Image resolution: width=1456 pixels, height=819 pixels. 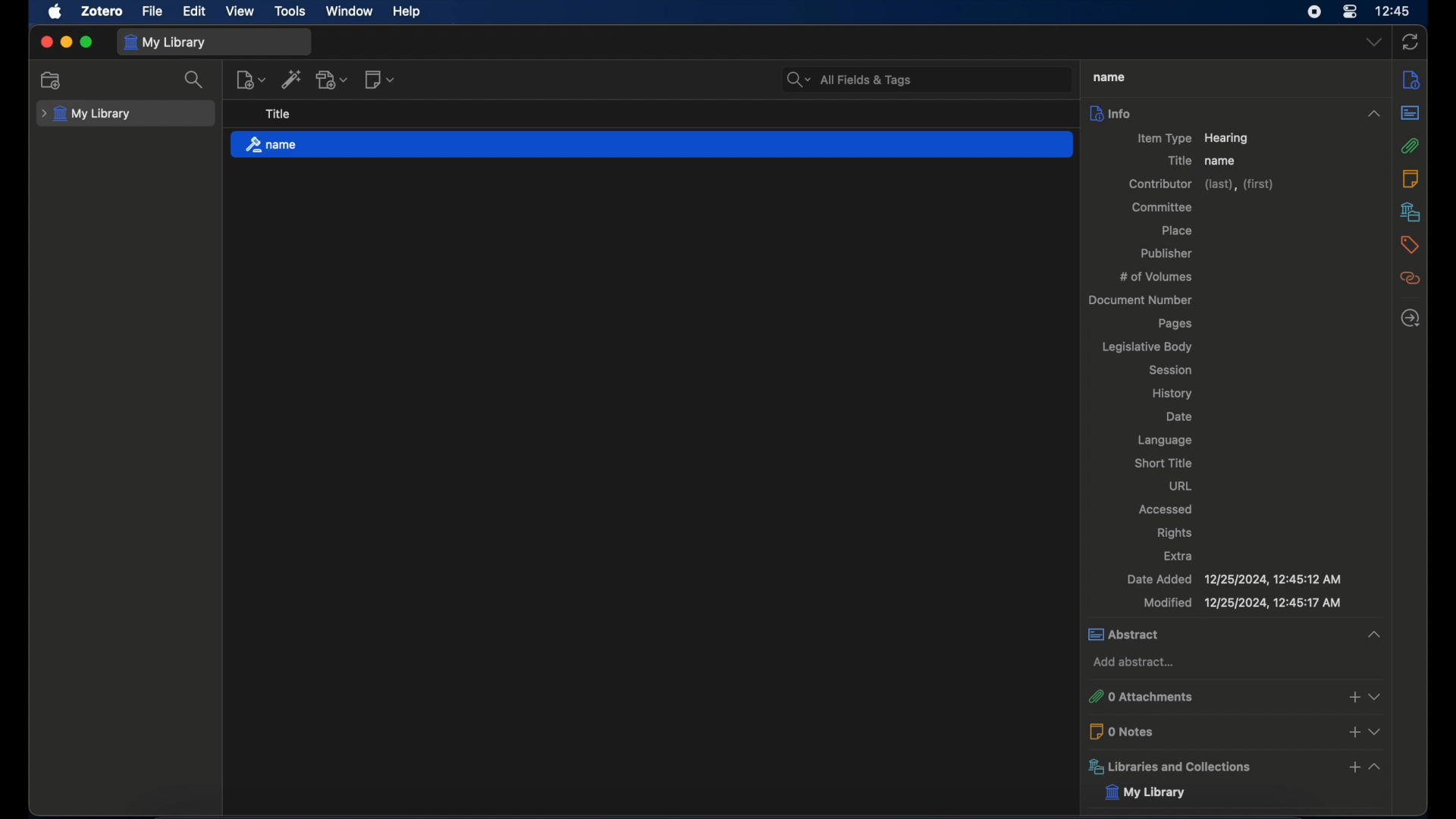 What do you see at coordinates (1233, 579) in the screenshot?
I see `date added` at bounding box center [1233, 579].